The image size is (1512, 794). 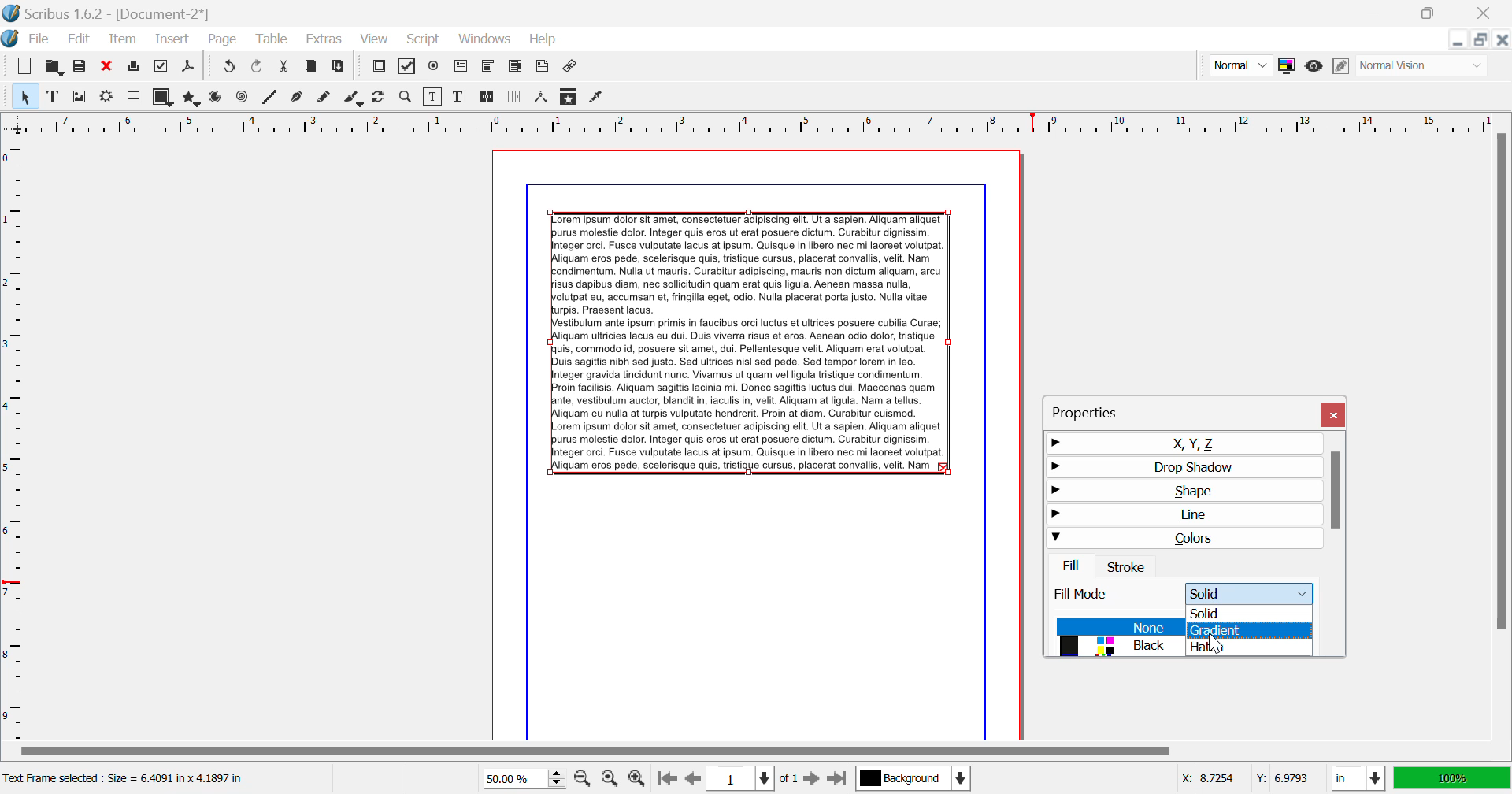 What do you see at coordinates (326, 98) in the screenshot?
I see `Freehand` at bounding box center [326, 98].